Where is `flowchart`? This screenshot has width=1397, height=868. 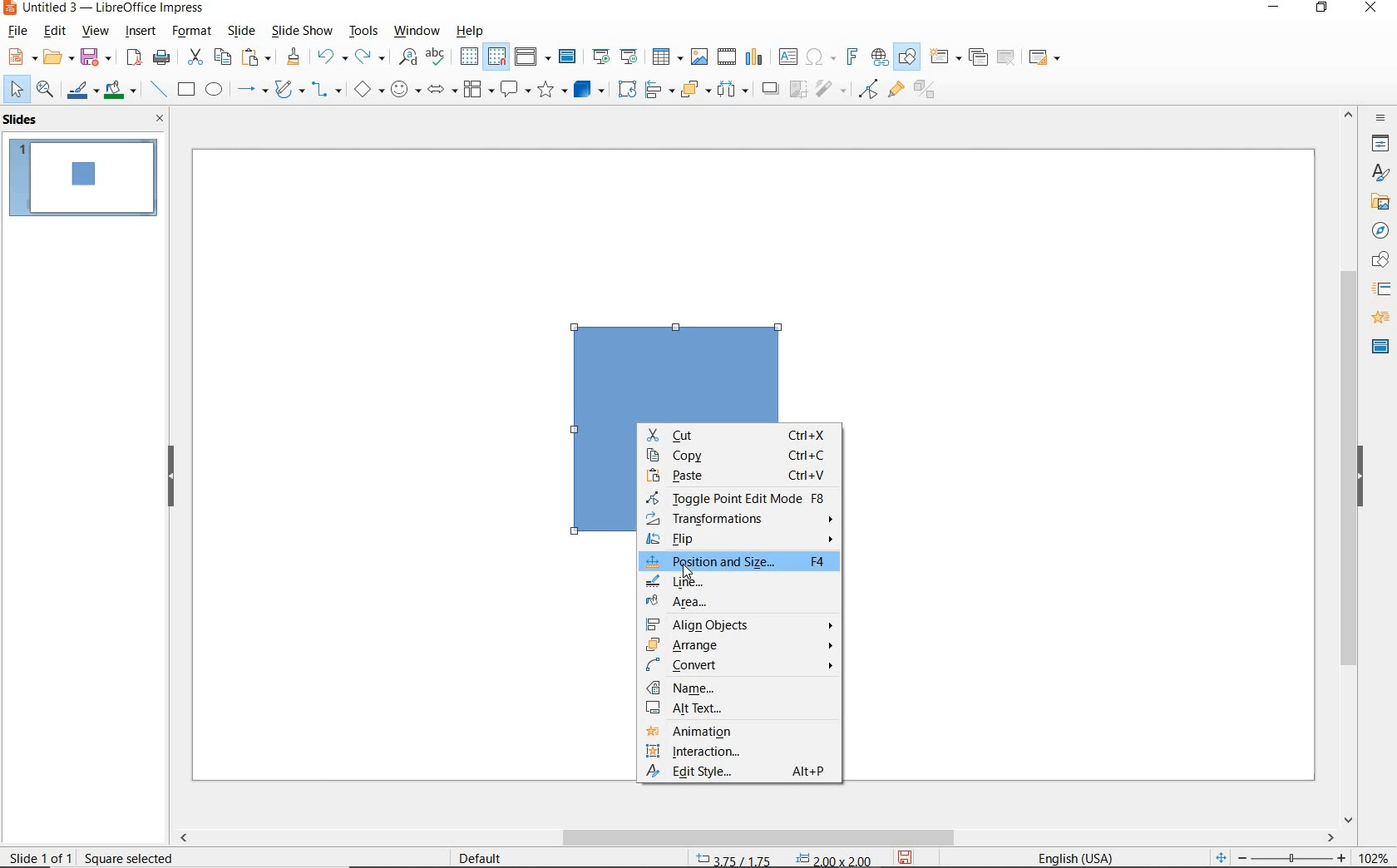 flowchart is located at coordinates (480, 90).